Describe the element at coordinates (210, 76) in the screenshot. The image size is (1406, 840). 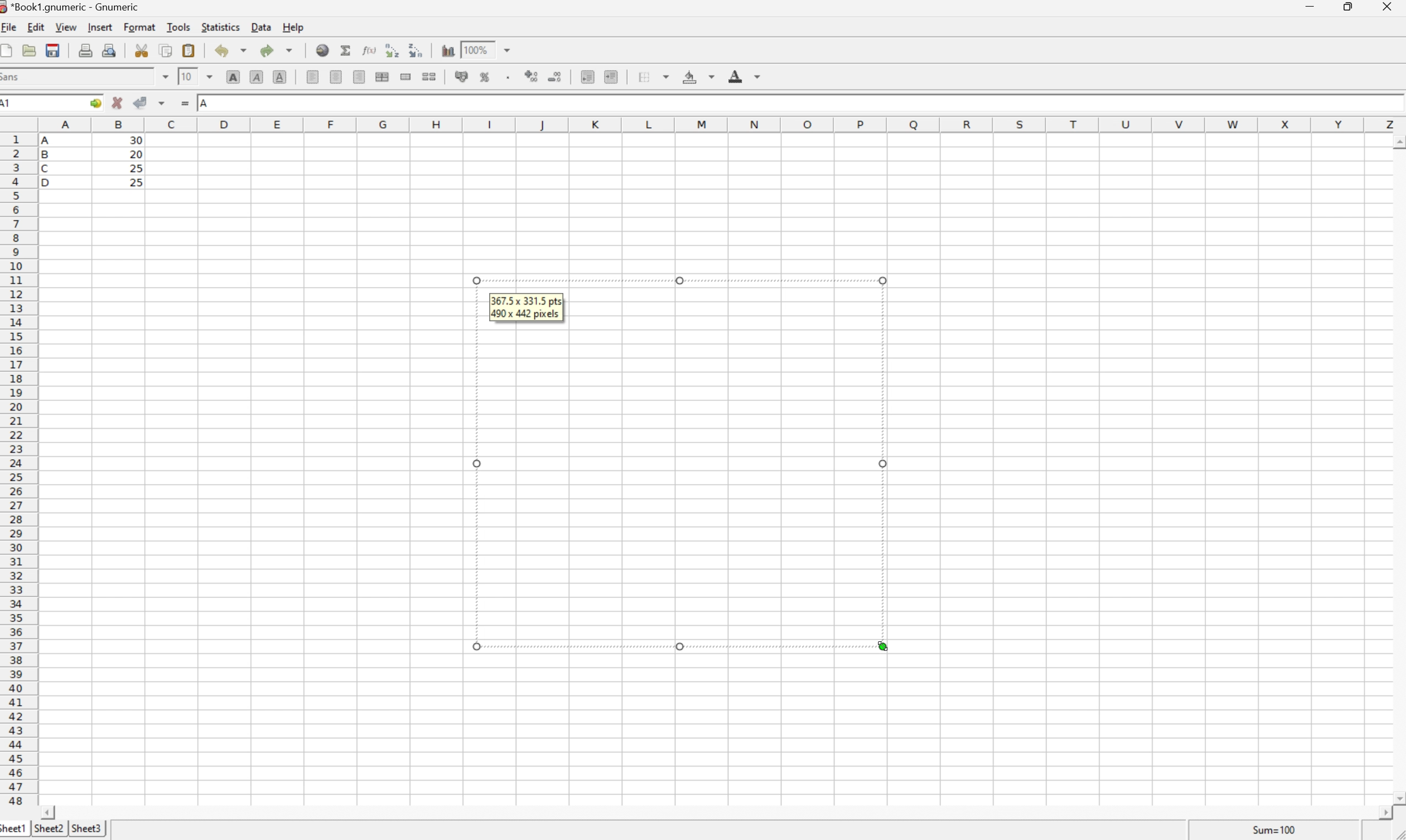
I see `Drop Down` at that location.